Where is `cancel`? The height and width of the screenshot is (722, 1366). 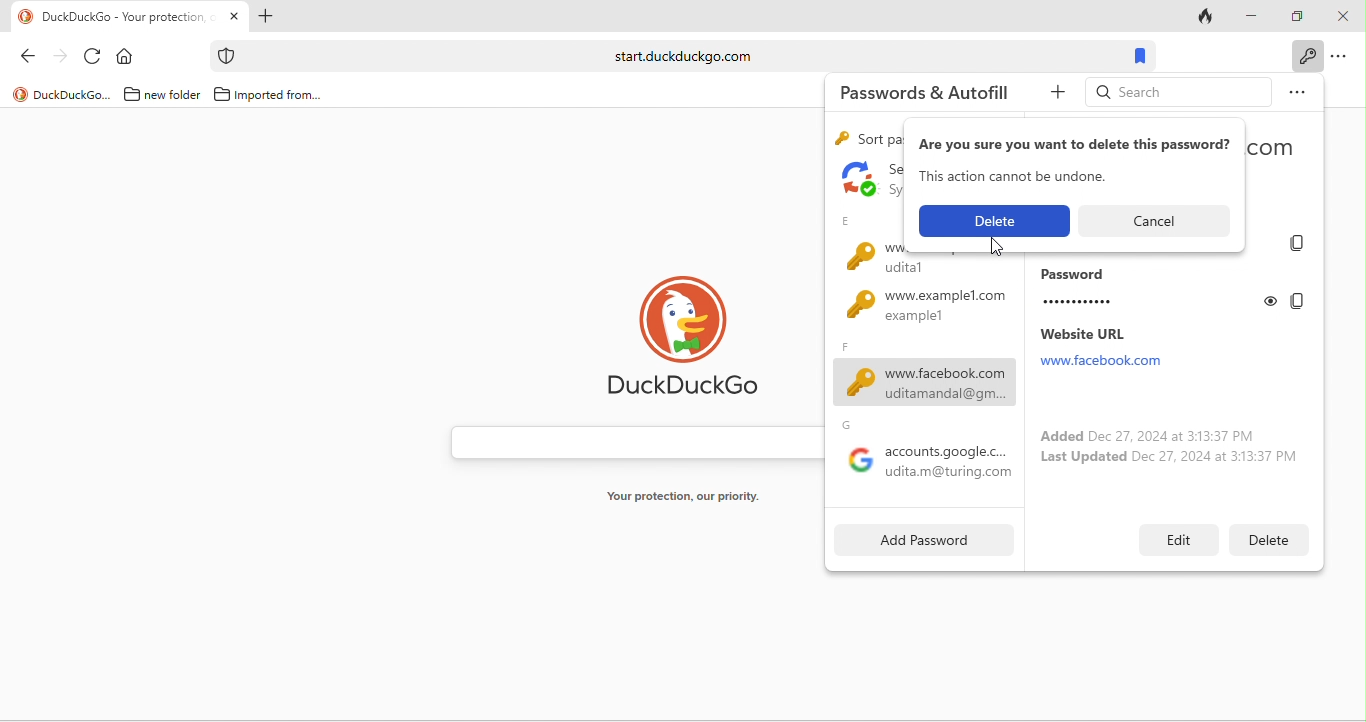 cancel is located at coordinates (1161, 219).